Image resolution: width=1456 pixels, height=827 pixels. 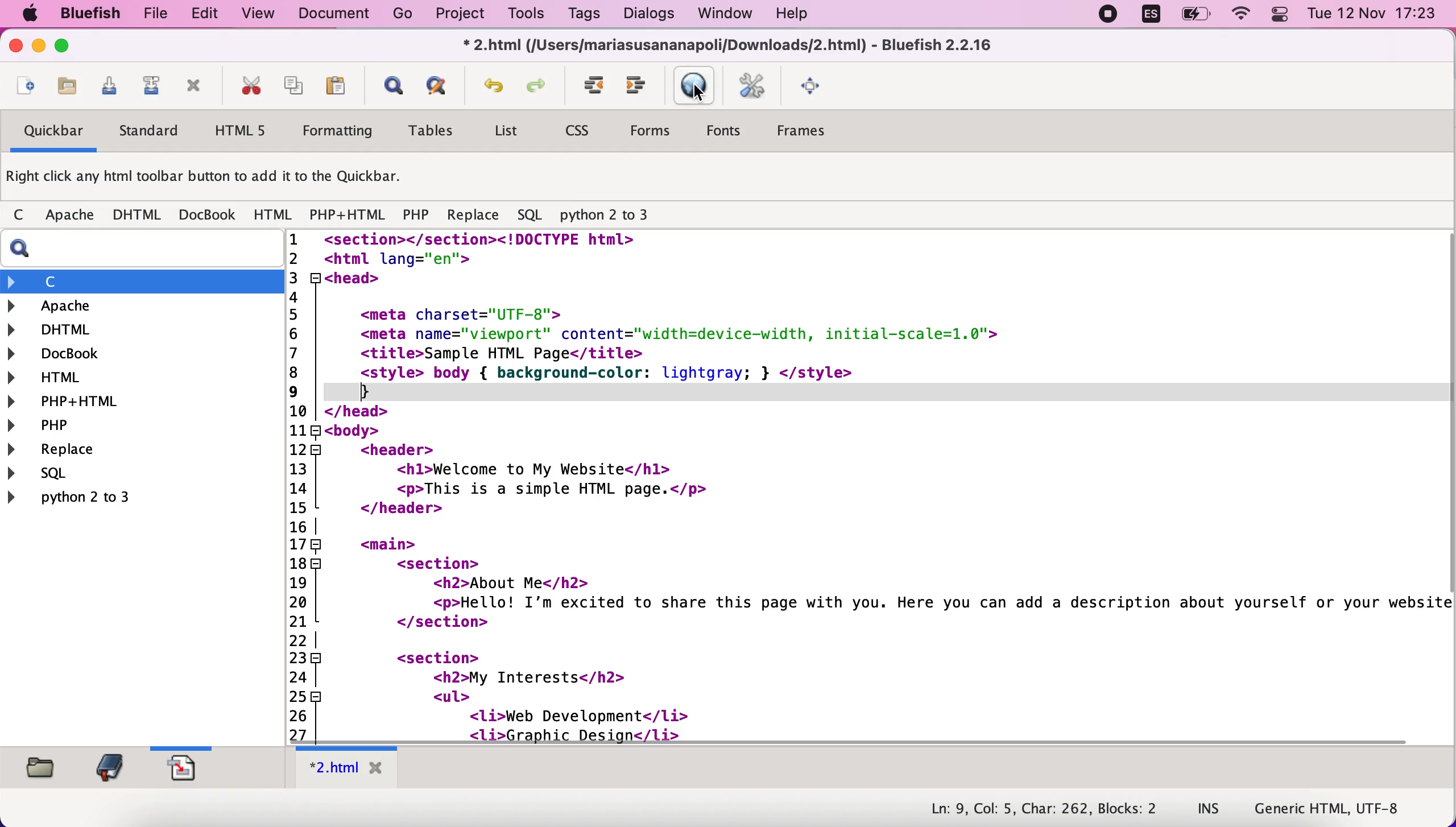 I want to click on sql, so click(x=530, y=213).